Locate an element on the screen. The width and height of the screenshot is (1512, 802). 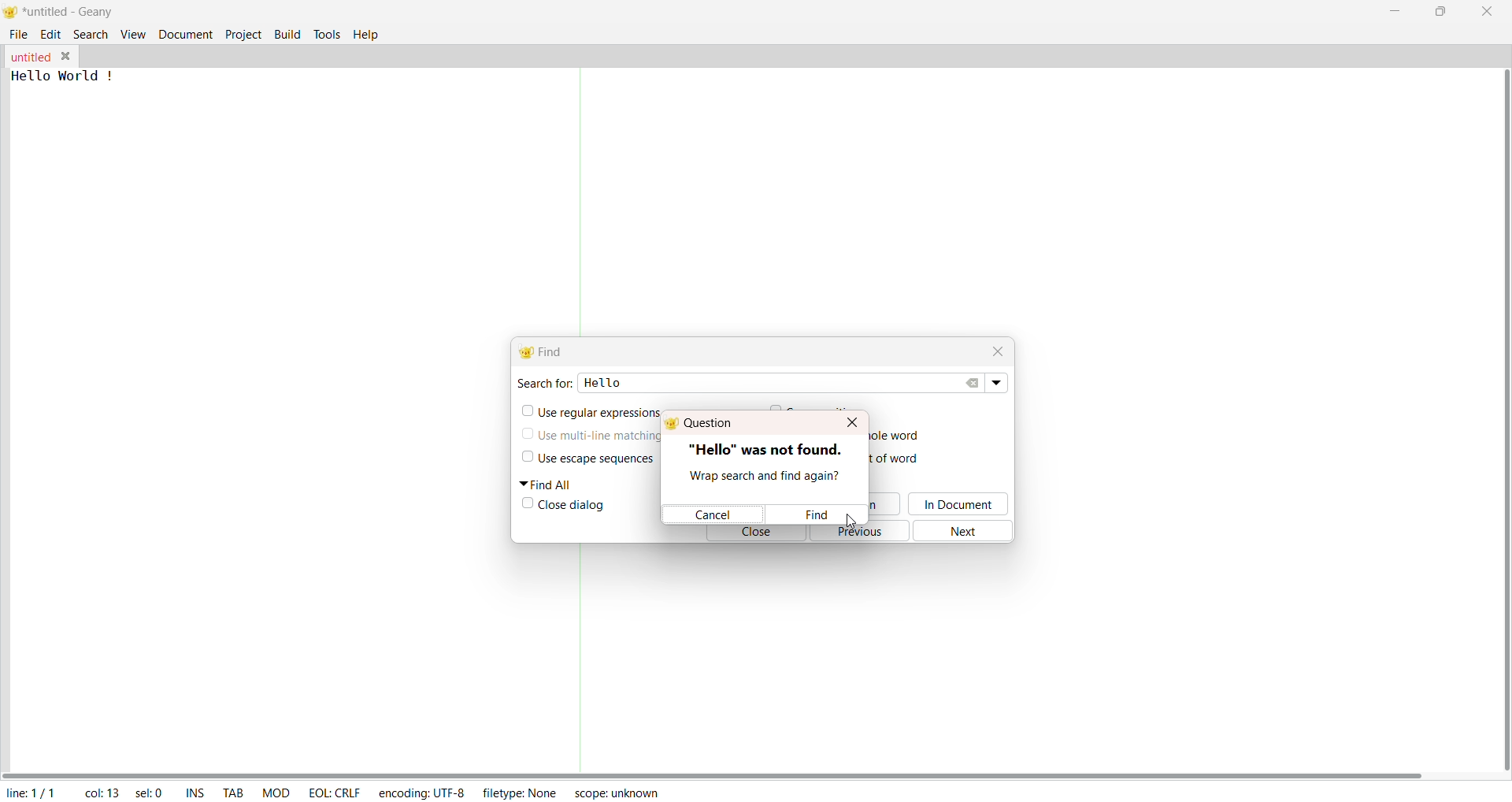
EOL: CRLF is located at coordinates (335, 791).